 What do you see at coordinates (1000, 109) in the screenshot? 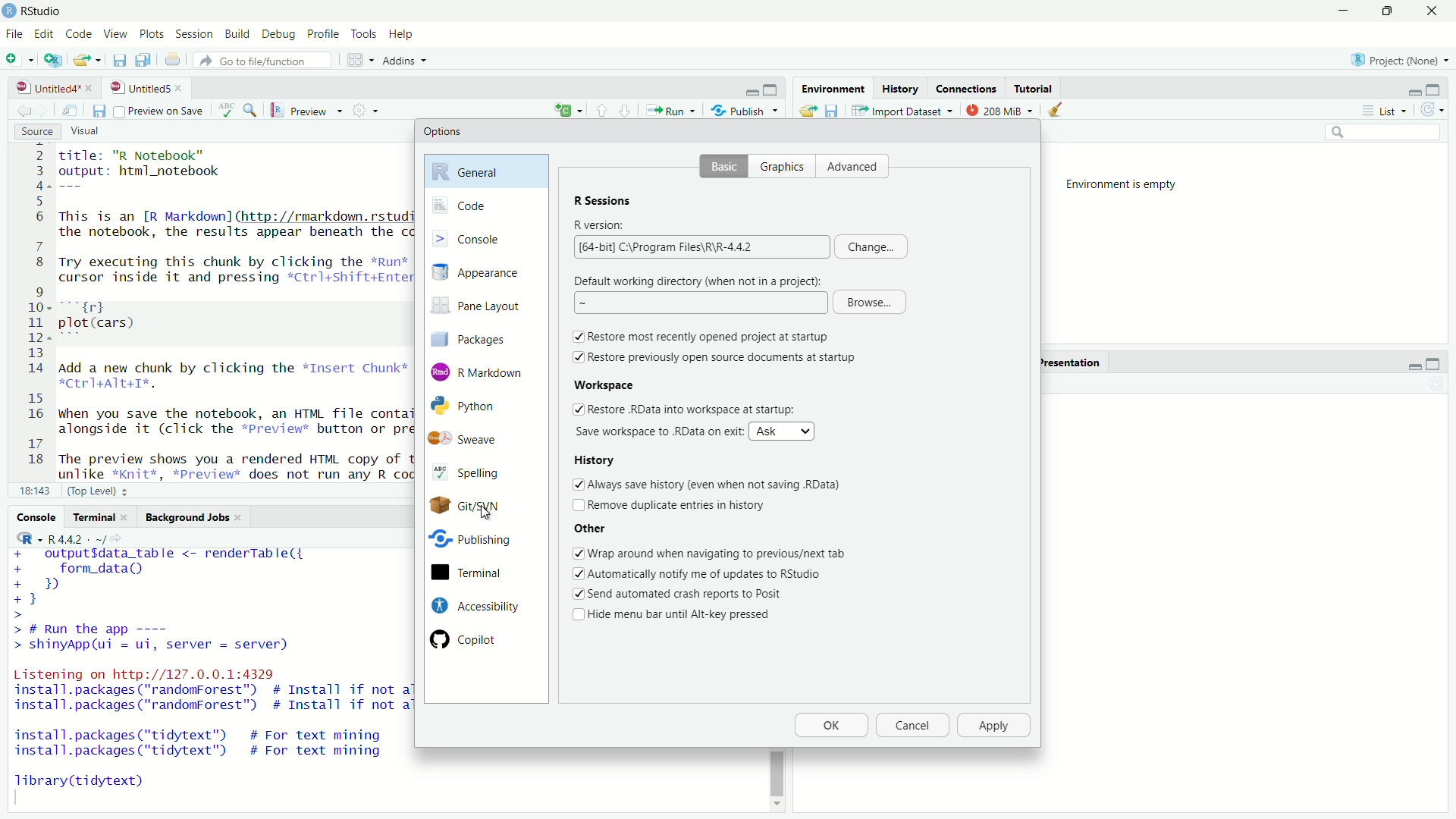
I see `208 ` at bounding box center [1000, 109].